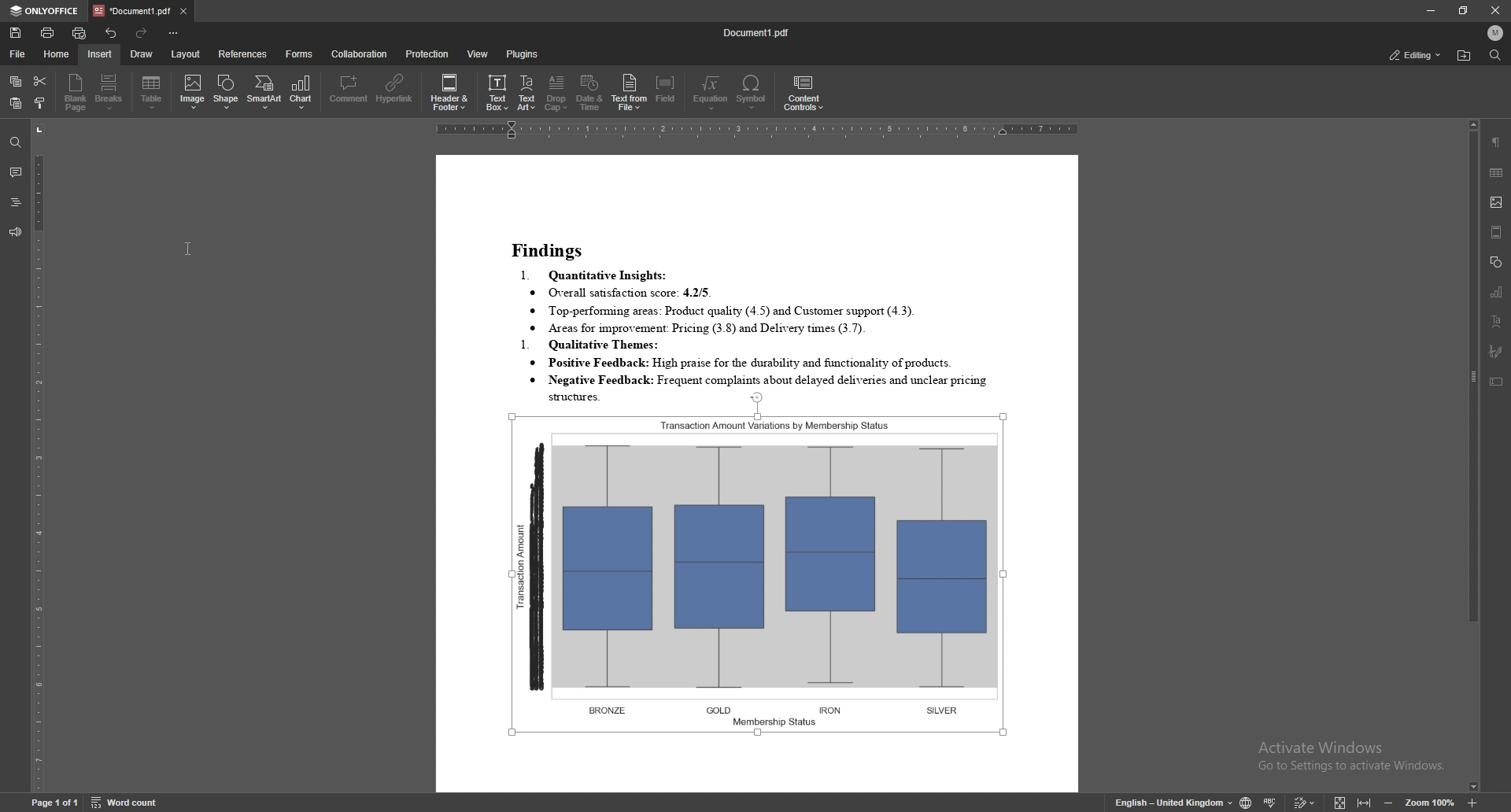 The width and height of the screenshot is (1511, 812). Describe the element at coordinates (752, 92) in the screenshot. I see `symbol` at that location.